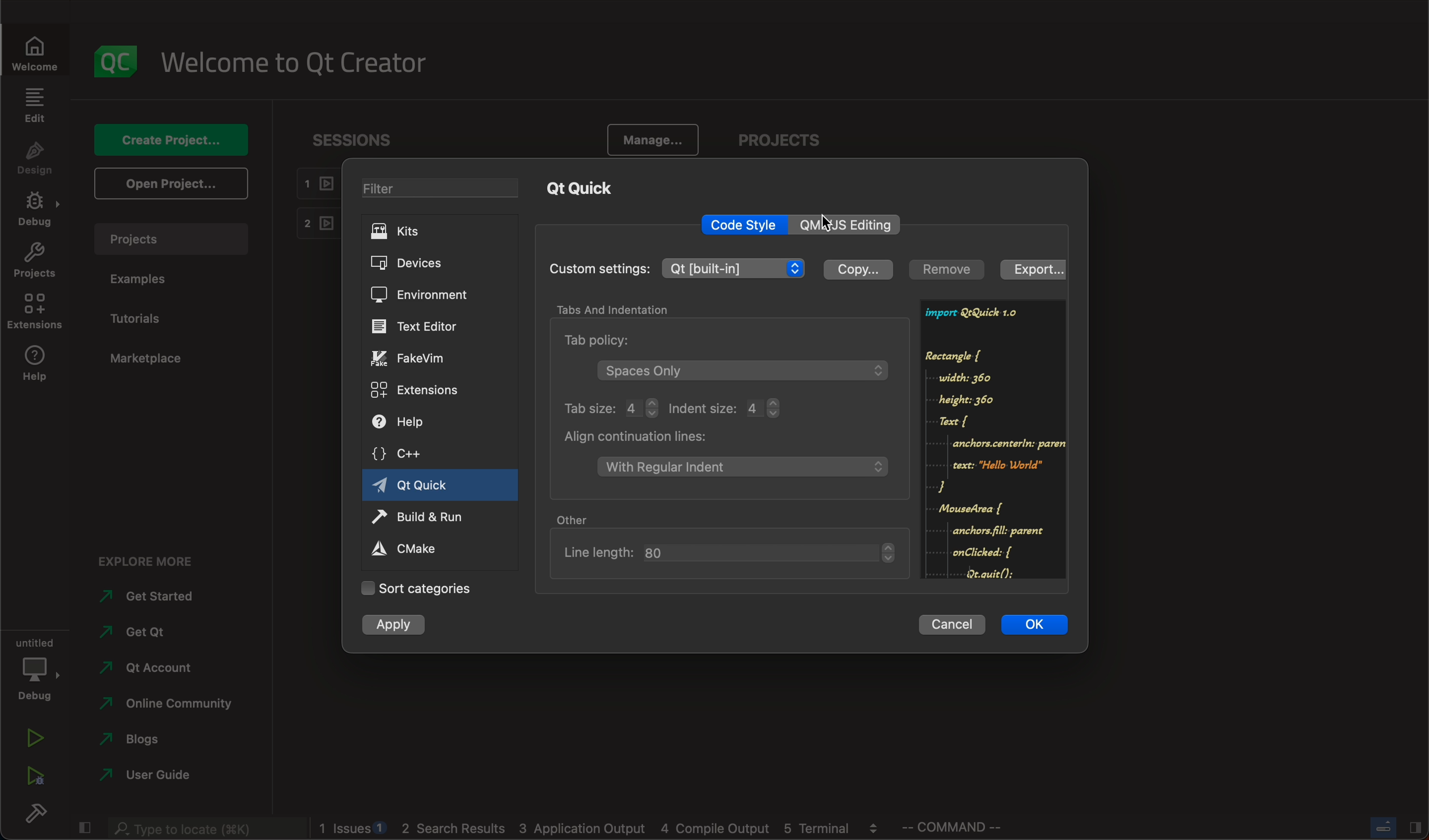 This screenshot has height=840, width=1429. I want to click on started, so click(150, 597).